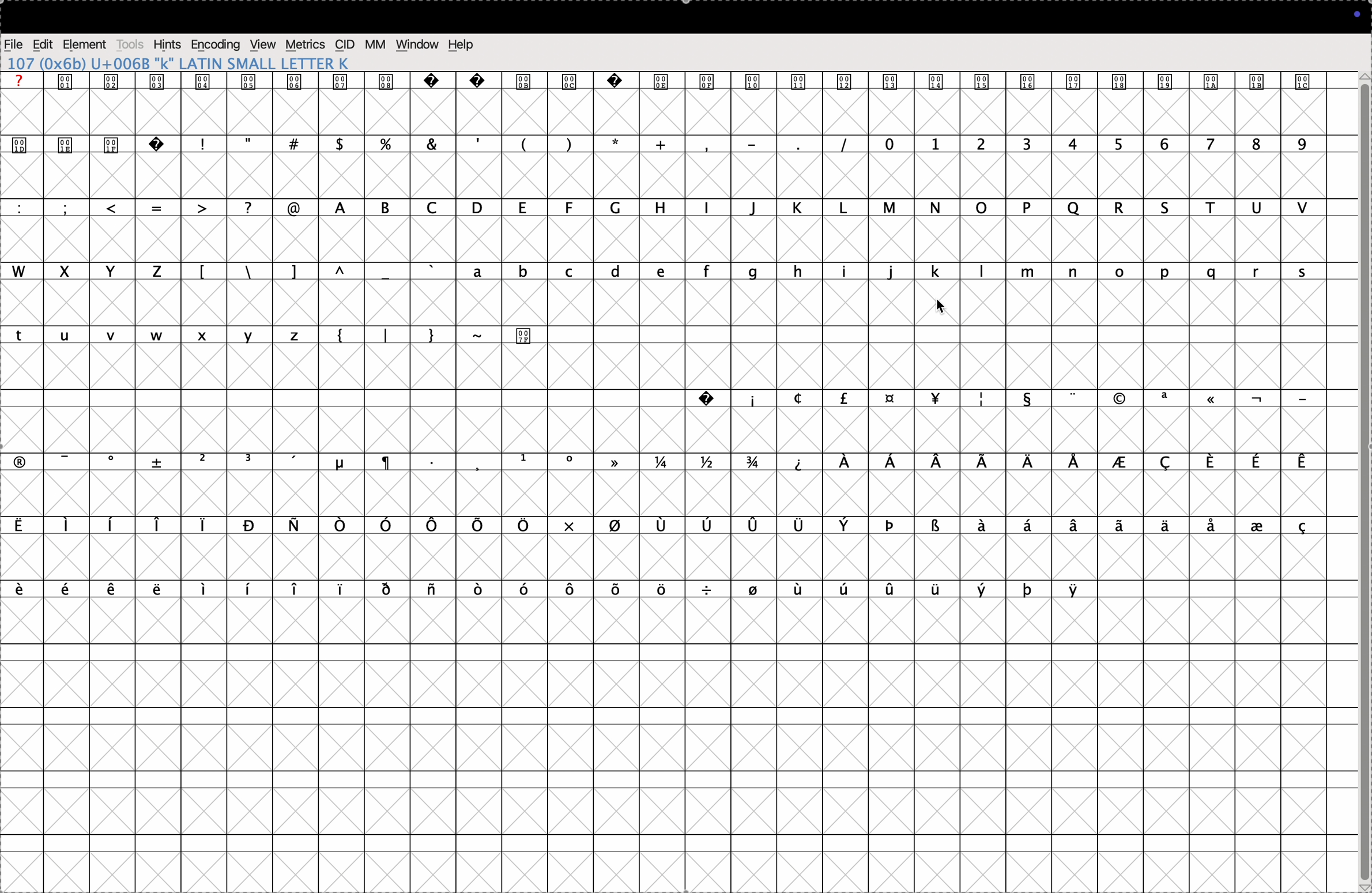 This screenshot has width=1372, height=893. Describe the element at coordinates (1117, 145) in the screenshot. I see `` at that location.